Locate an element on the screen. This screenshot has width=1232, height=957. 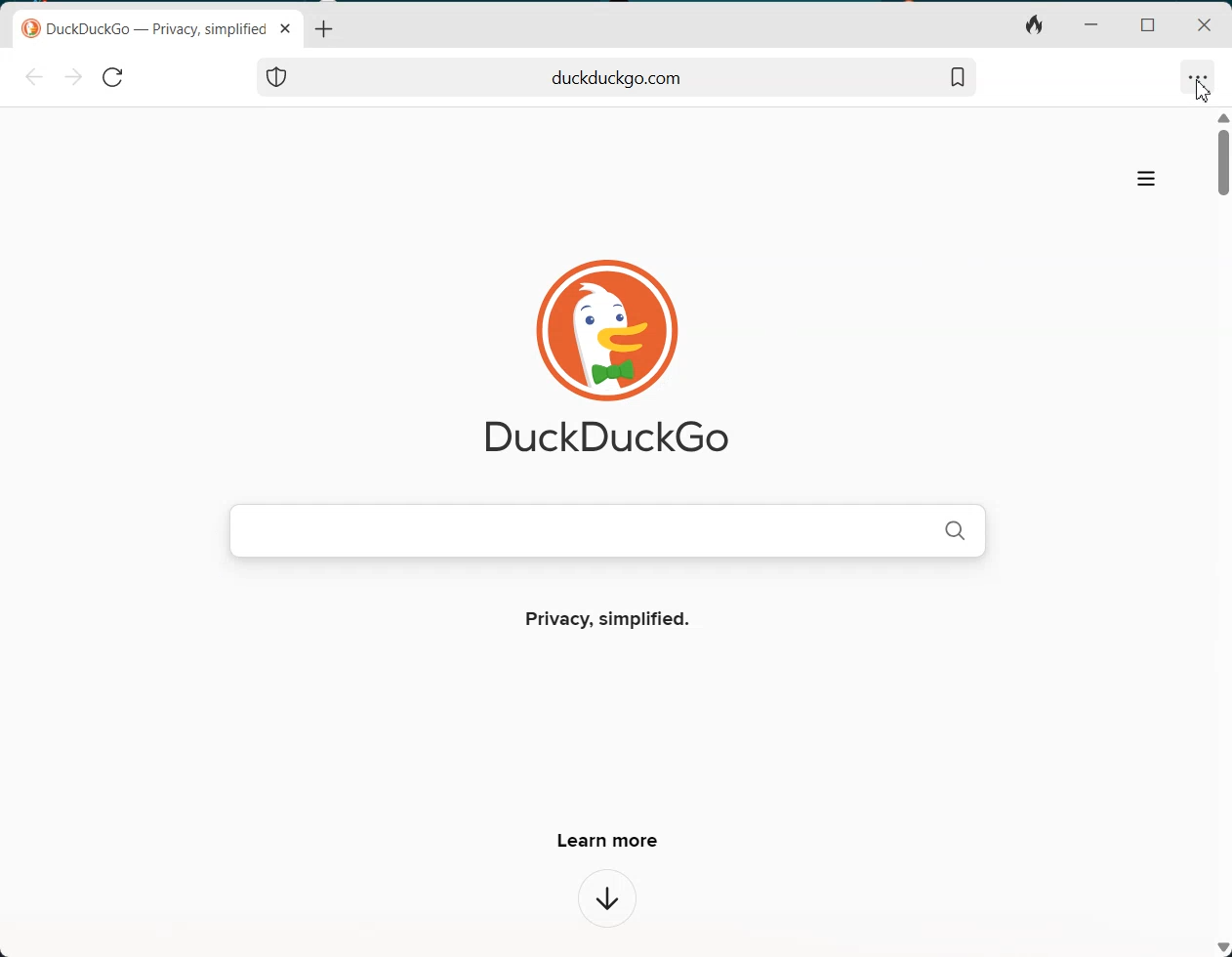
Vertical scrollbar is located at coordinates (1223, 531).